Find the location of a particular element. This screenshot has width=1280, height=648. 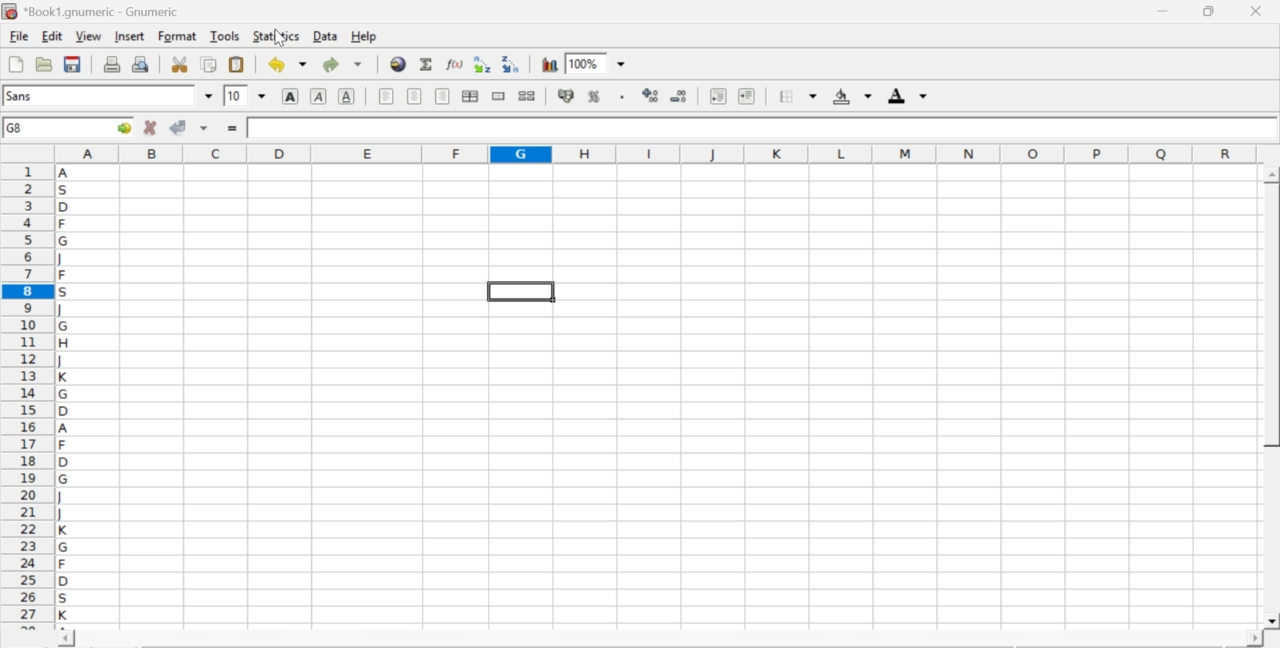

accept changes is located at coordinates (179, 126).